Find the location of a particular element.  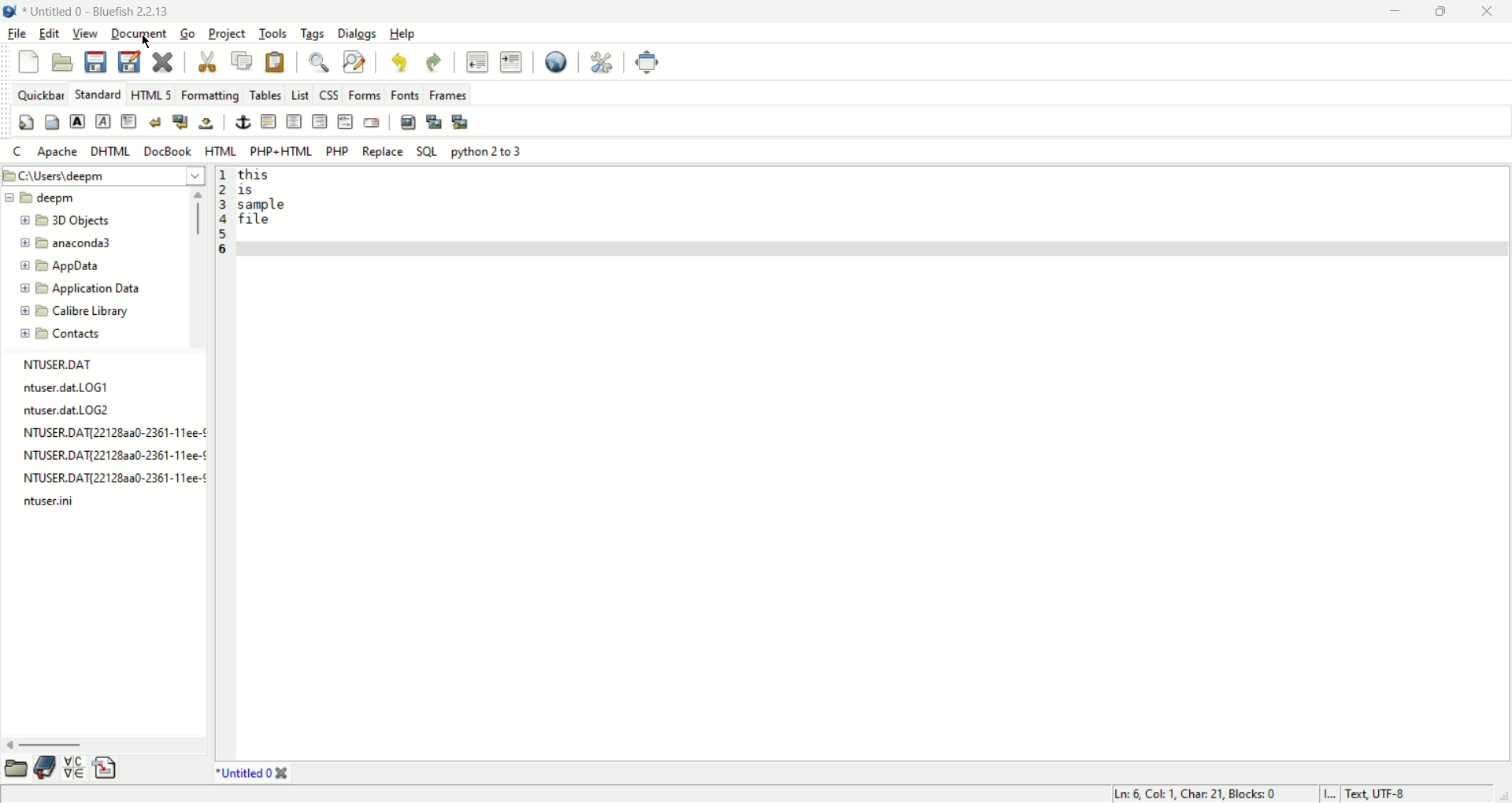

anchor is located at coordinates (242, 121).